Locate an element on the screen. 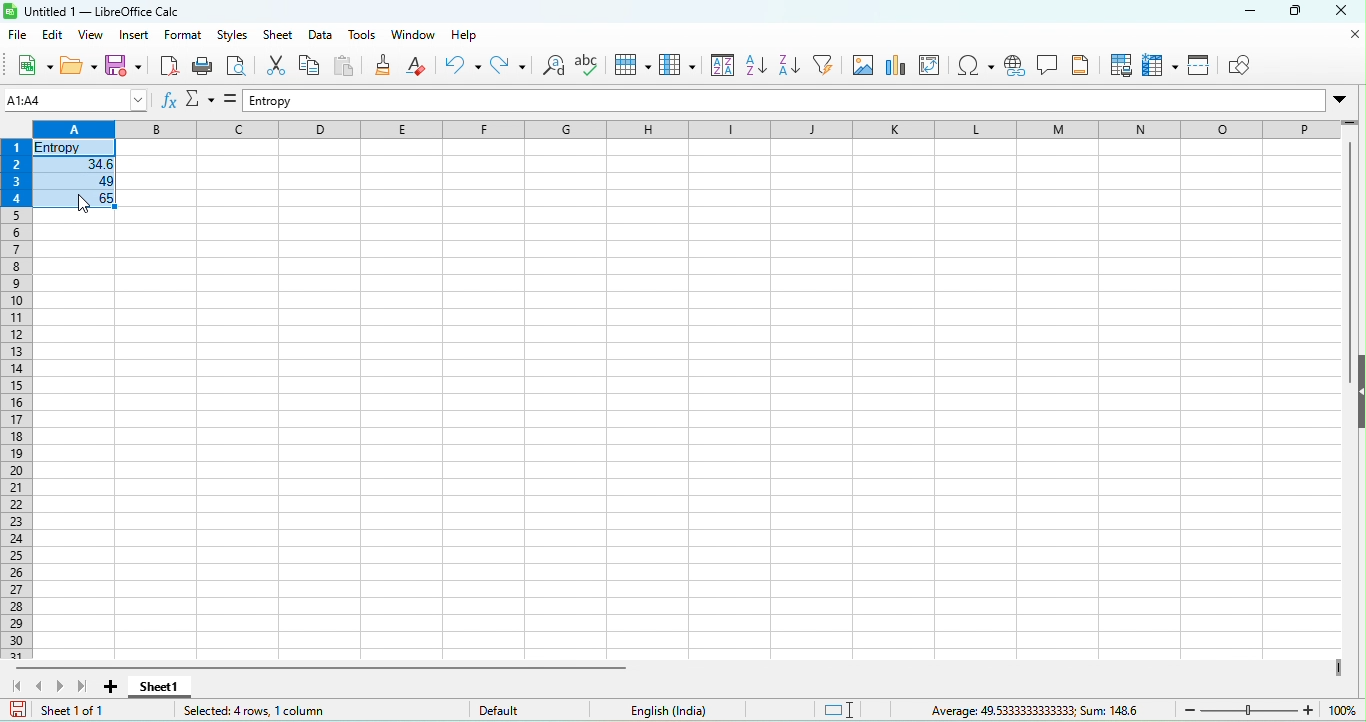  file is located at coordinates (16, 37).